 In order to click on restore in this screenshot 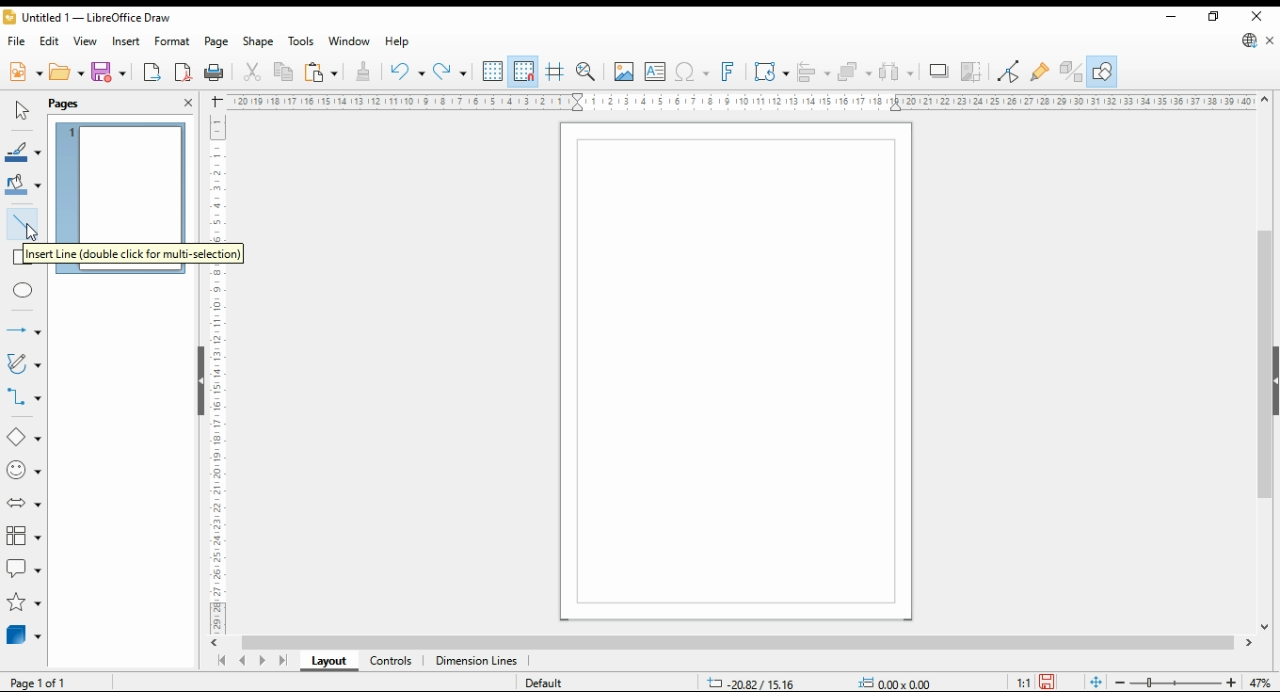, I will do `click(1216, 16)`.